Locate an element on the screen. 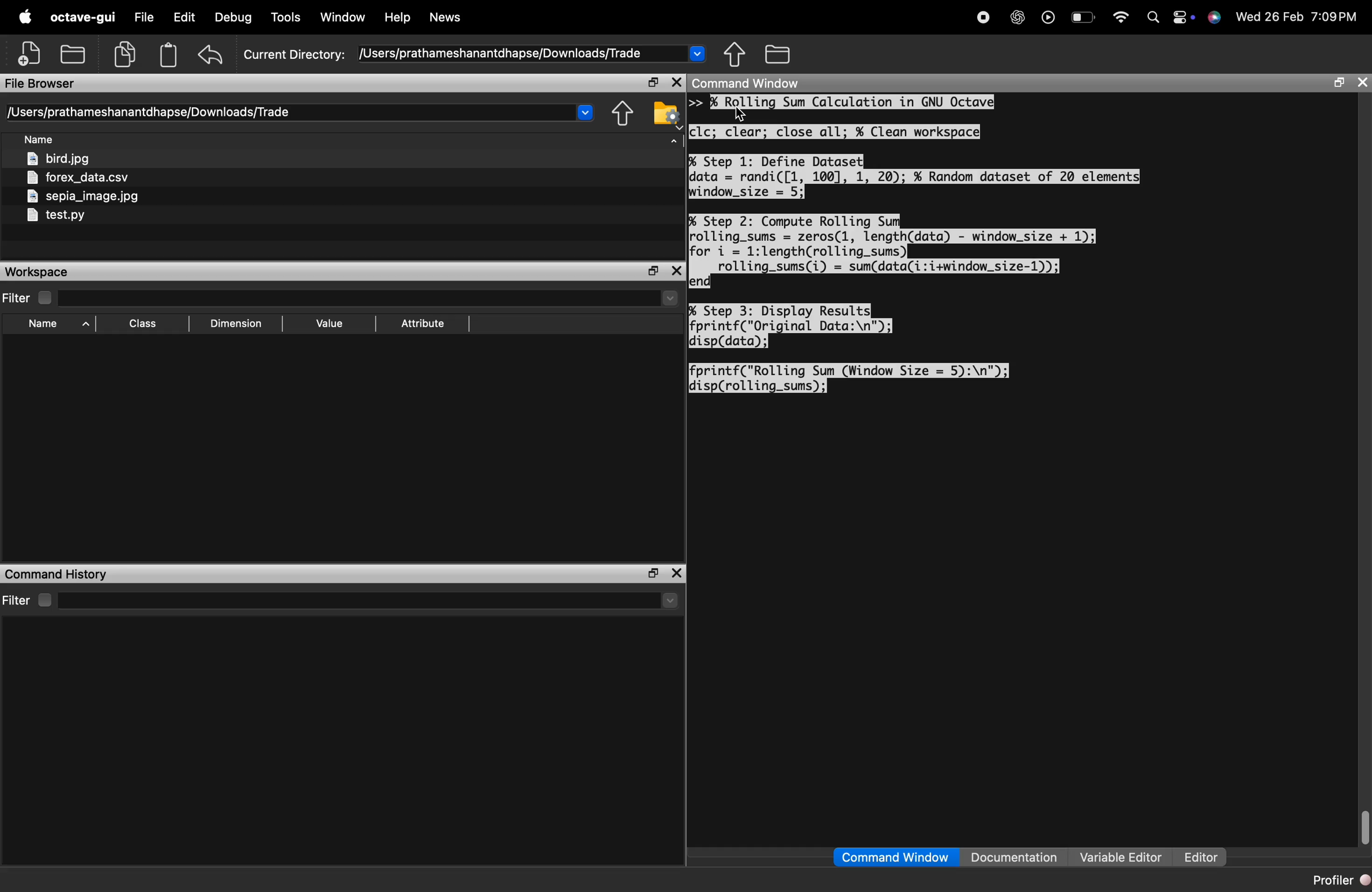 This screenshot has width=1372, height=892. command history is located at coordinates (61, 574).